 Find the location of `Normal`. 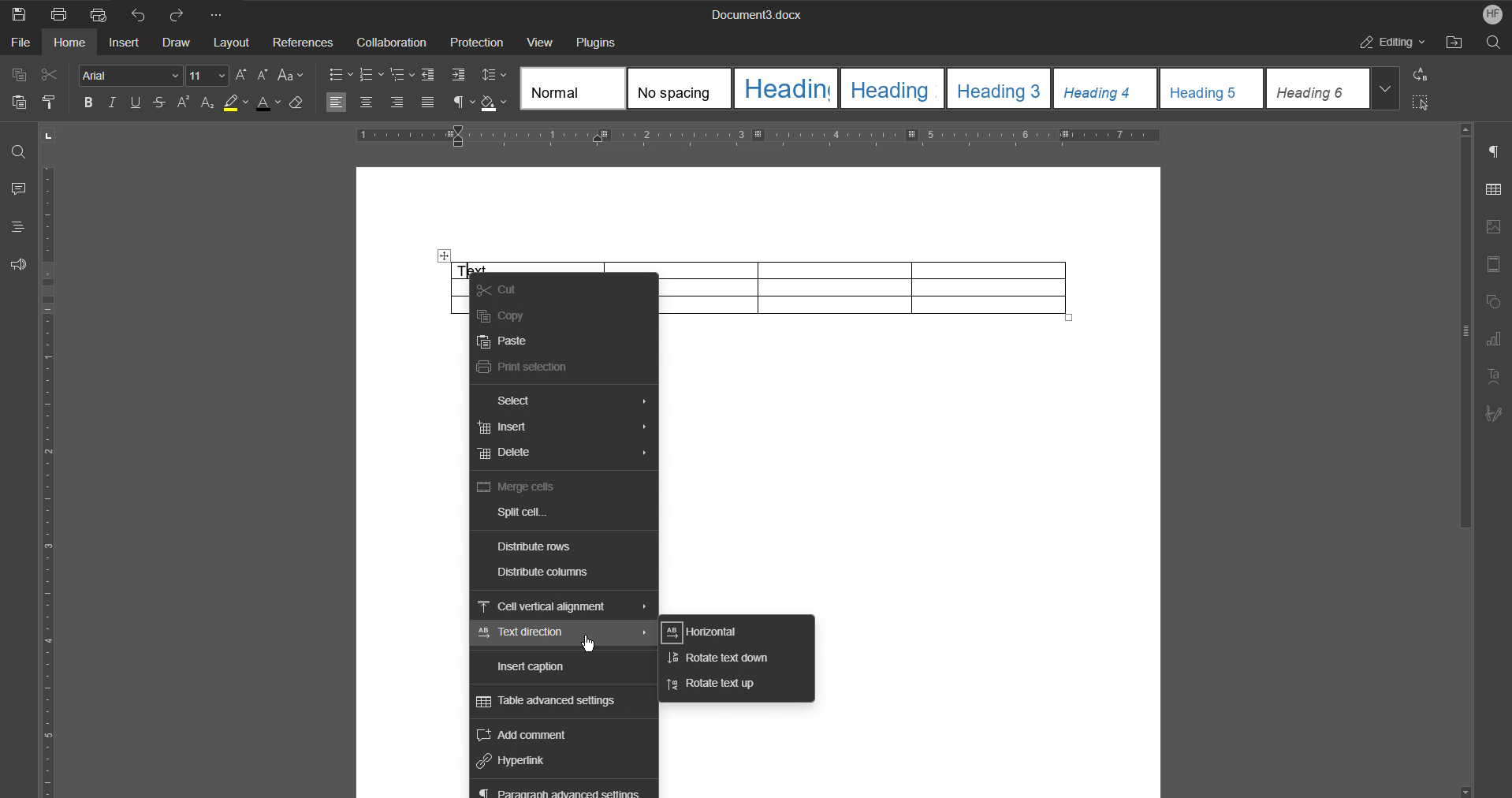

Normal is located at coordinates (572, 88).